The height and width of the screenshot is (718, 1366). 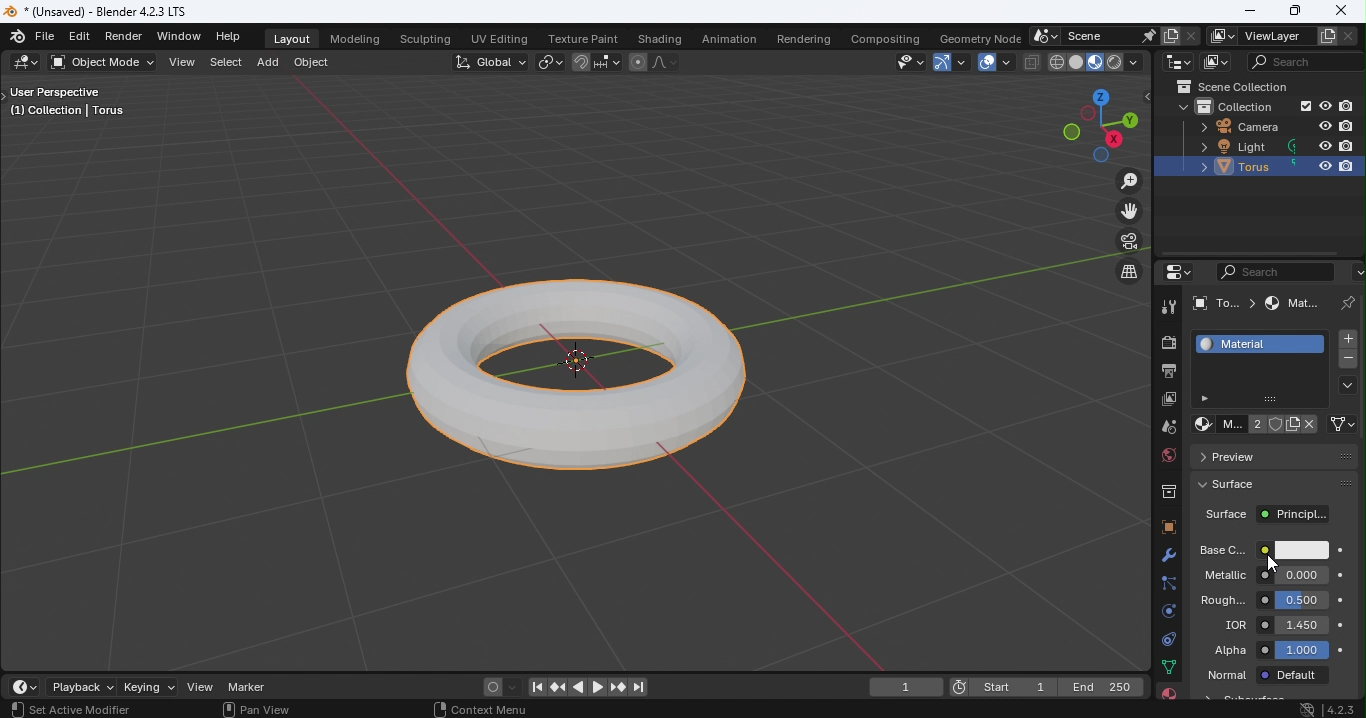 I want to click on Object, so click(x=1167, y=525).